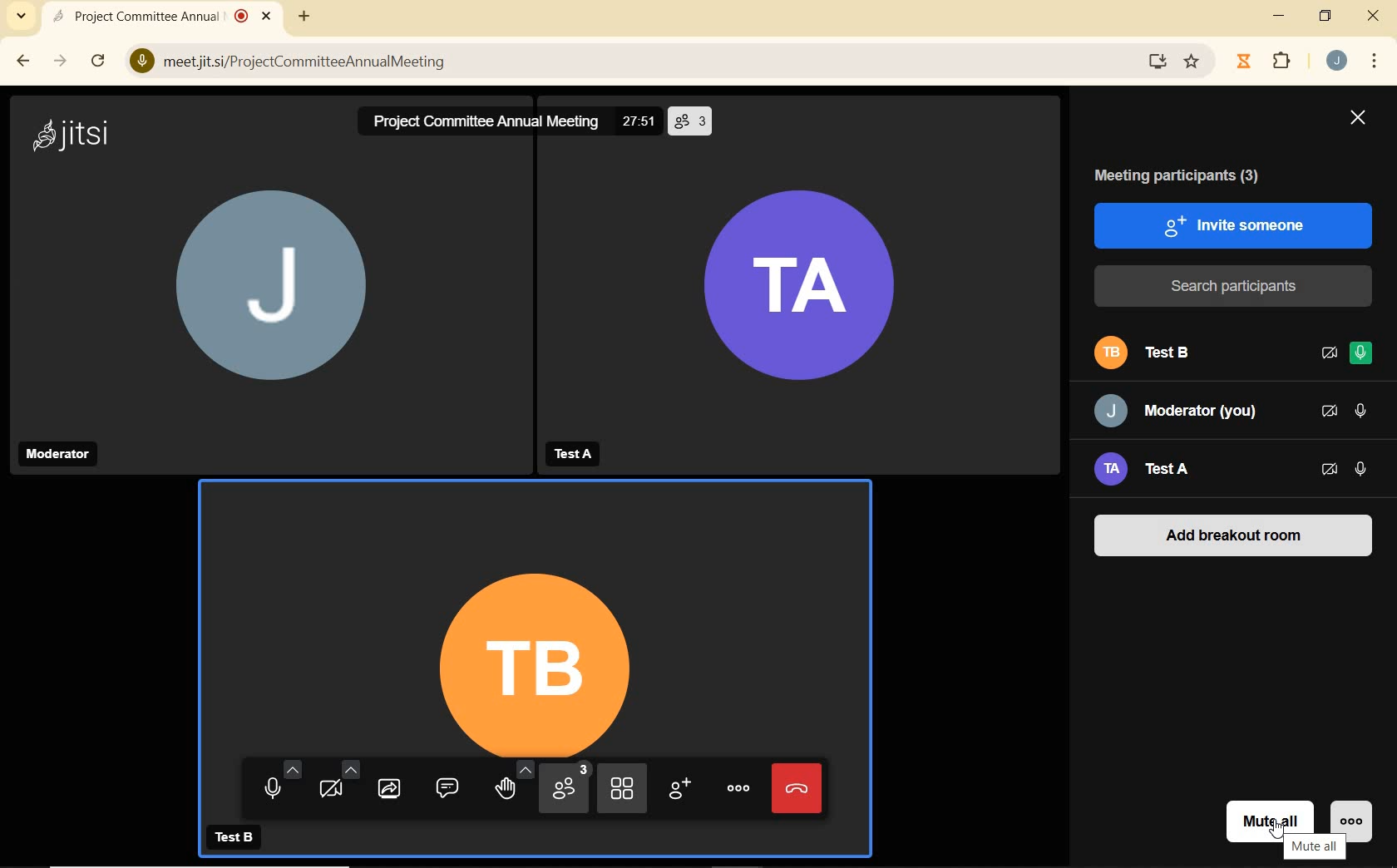 This screenshot has height=868, width=1397. What do you see at coordinates (1154, 354) in the screenshot?
I see `PARTICIPANT B` at bounding box center [1154, 354].